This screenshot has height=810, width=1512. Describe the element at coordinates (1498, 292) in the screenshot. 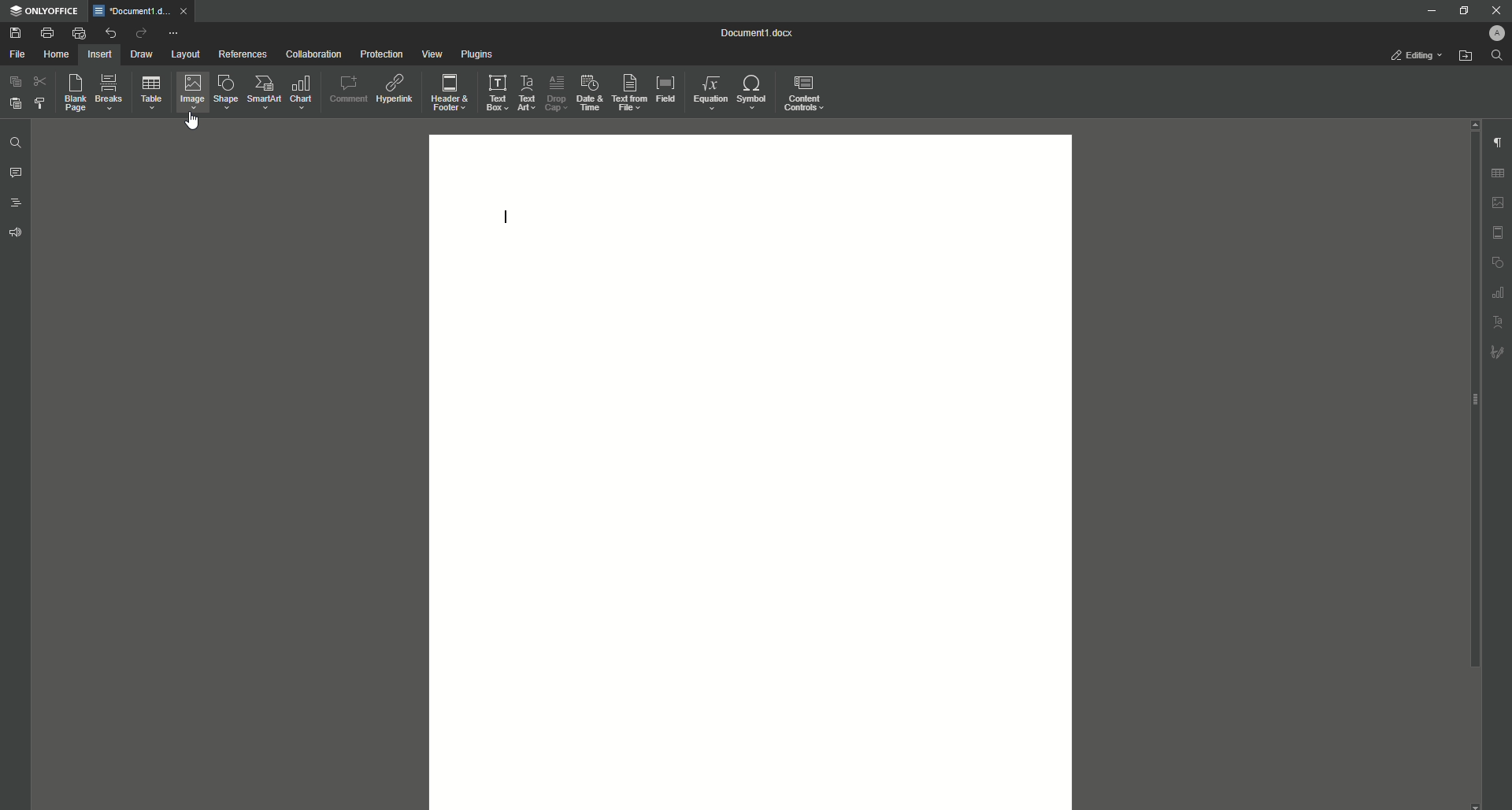

I see `Graph Settings` at that location.